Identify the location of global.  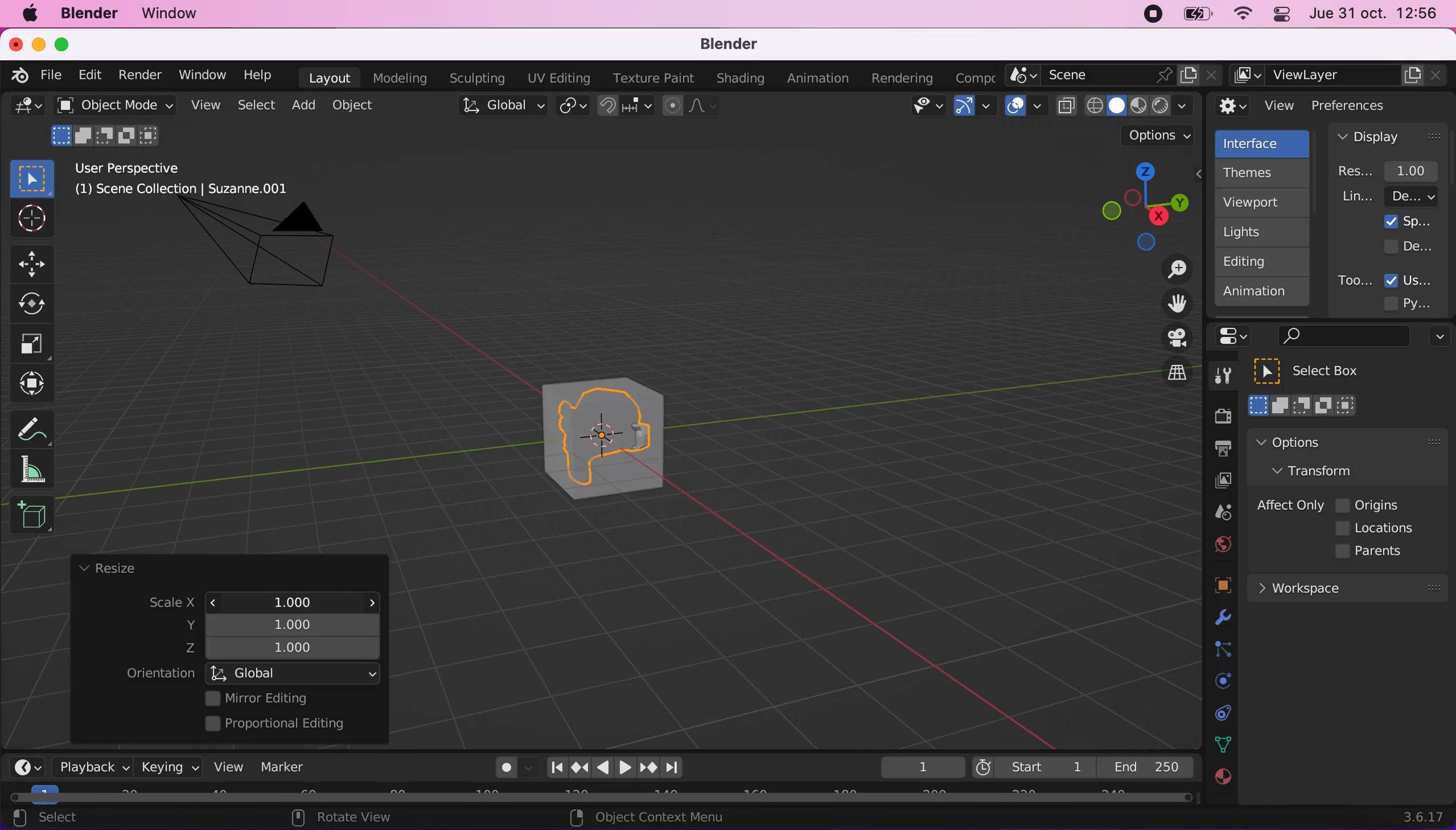
(500, 108).